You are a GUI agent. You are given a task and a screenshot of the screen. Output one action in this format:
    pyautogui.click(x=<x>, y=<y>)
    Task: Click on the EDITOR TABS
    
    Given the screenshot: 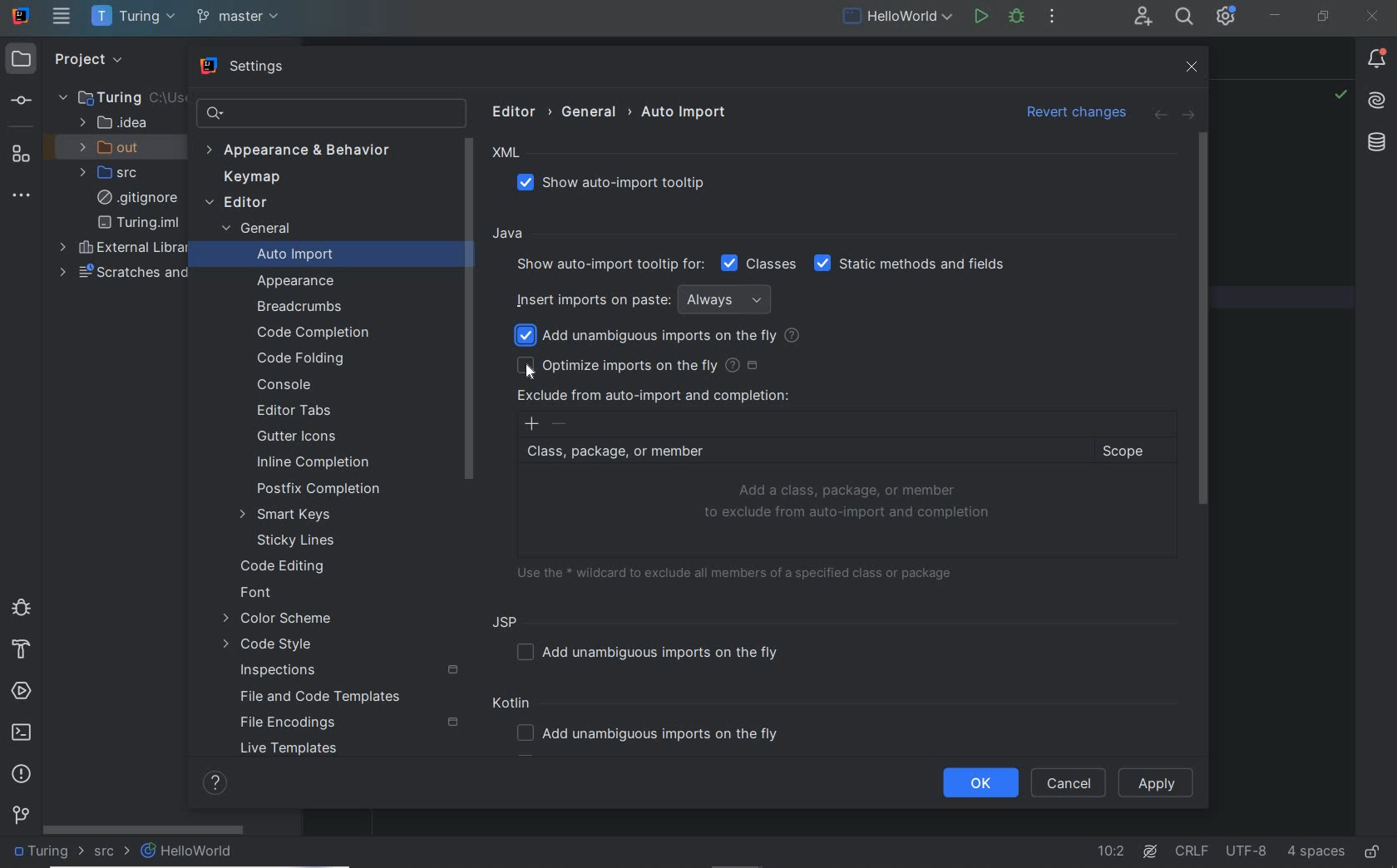 What is the action you would take?
    pyautogui.click(x=299, y=412)
    